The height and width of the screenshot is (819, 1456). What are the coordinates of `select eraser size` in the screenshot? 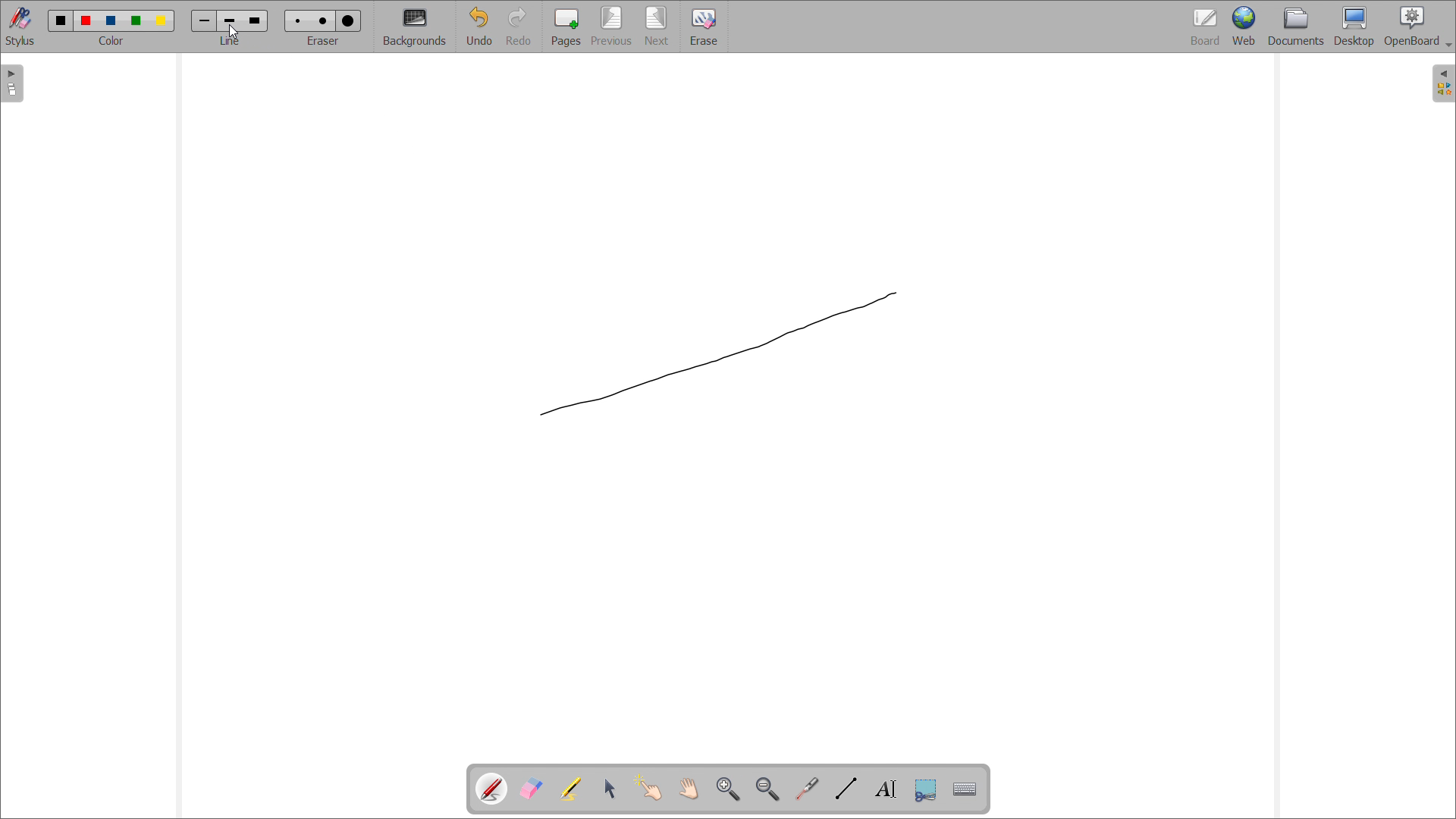 It's located at (324, 41).